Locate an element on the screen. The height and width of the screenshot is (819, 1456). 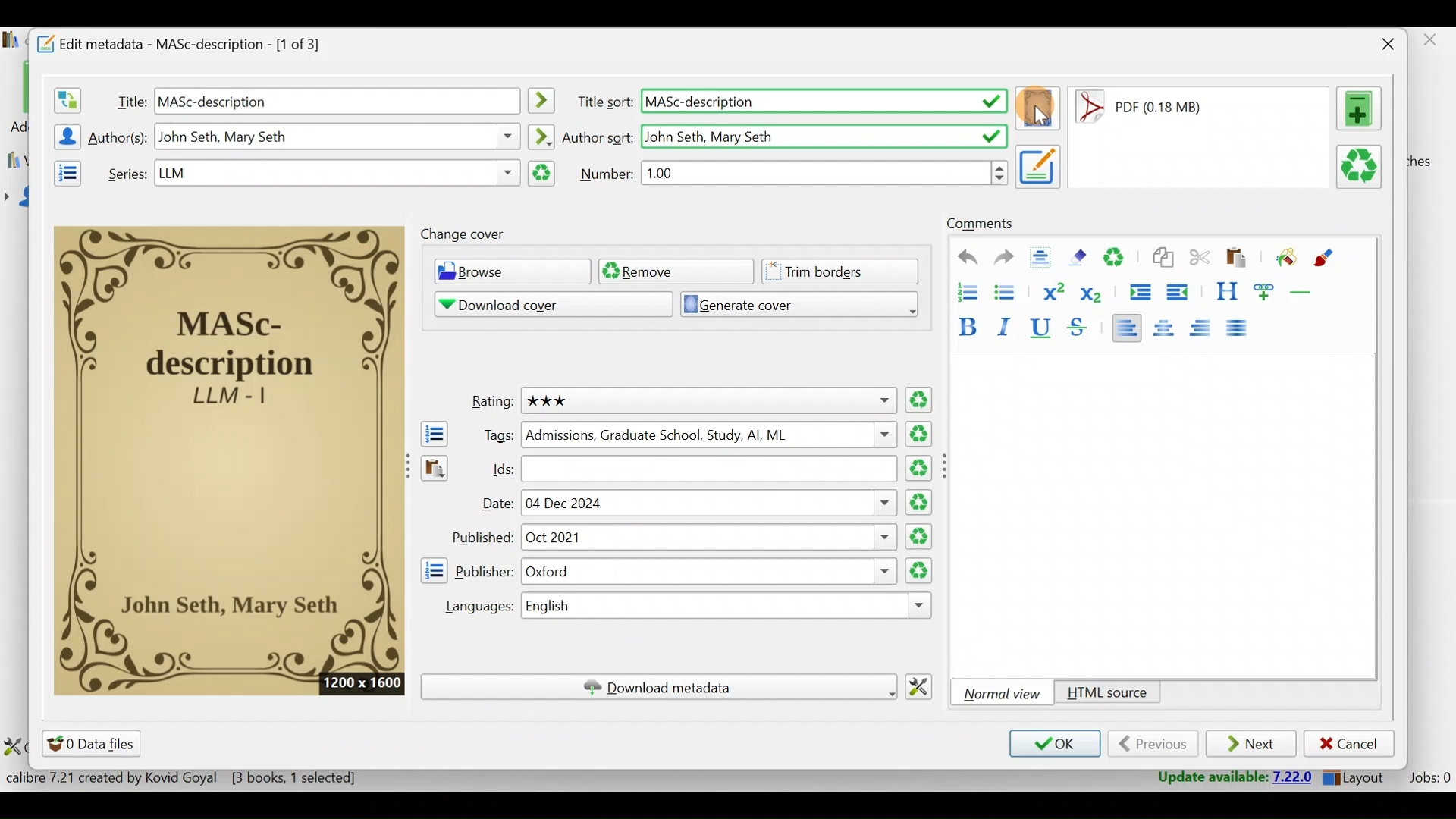
Align centre is located at coordinates (1170, 325).